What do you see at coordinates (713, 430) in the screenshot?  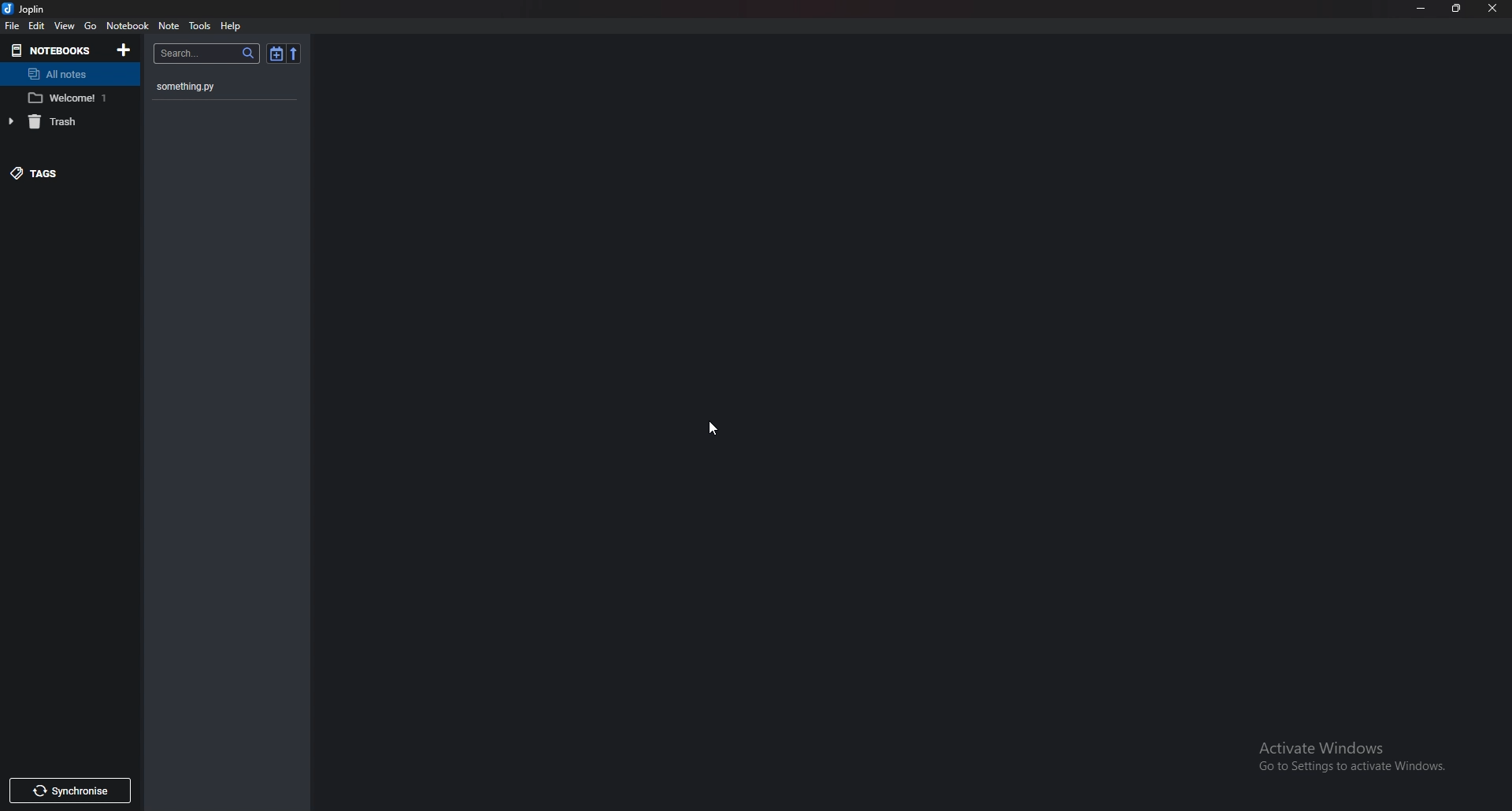 I see `cursor` at bounding box center [713, 430].